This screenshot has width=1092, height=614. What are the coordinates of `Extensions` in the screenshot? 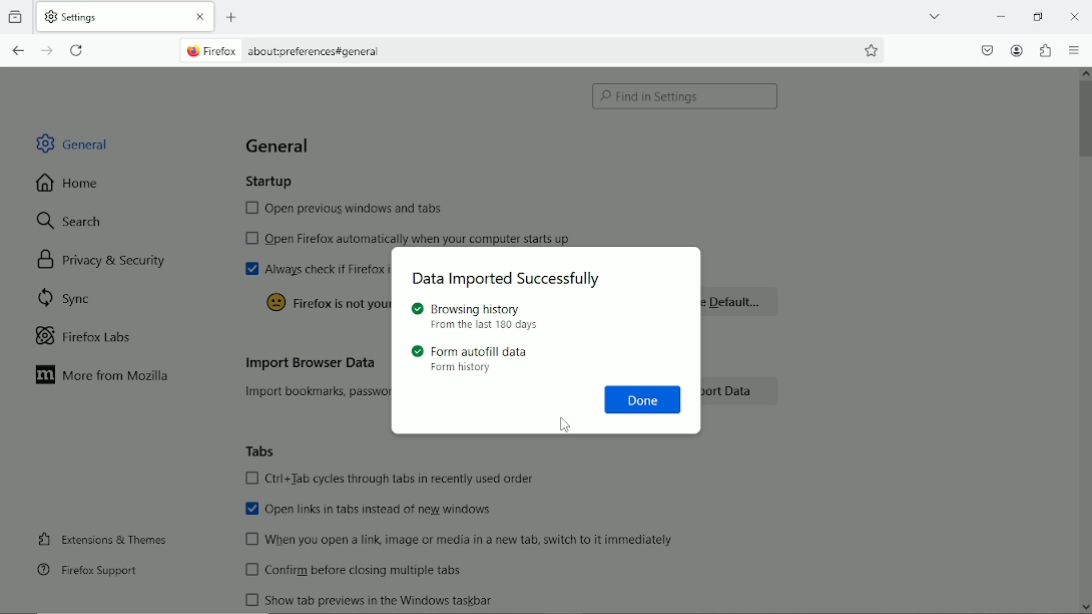 It's located at (1044, 50).